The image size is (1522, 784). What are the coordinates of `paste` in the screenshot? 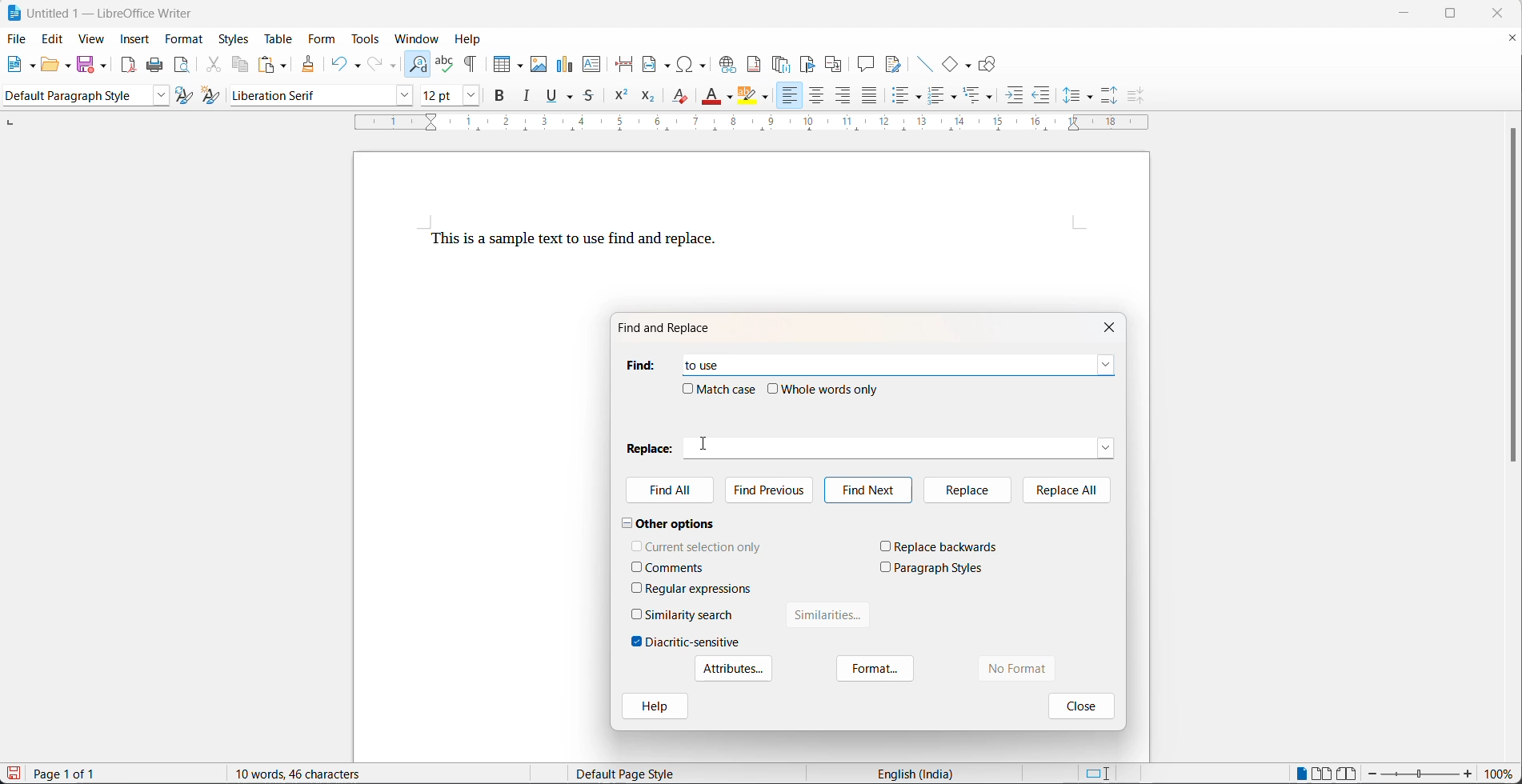 It's located at (267, 64).